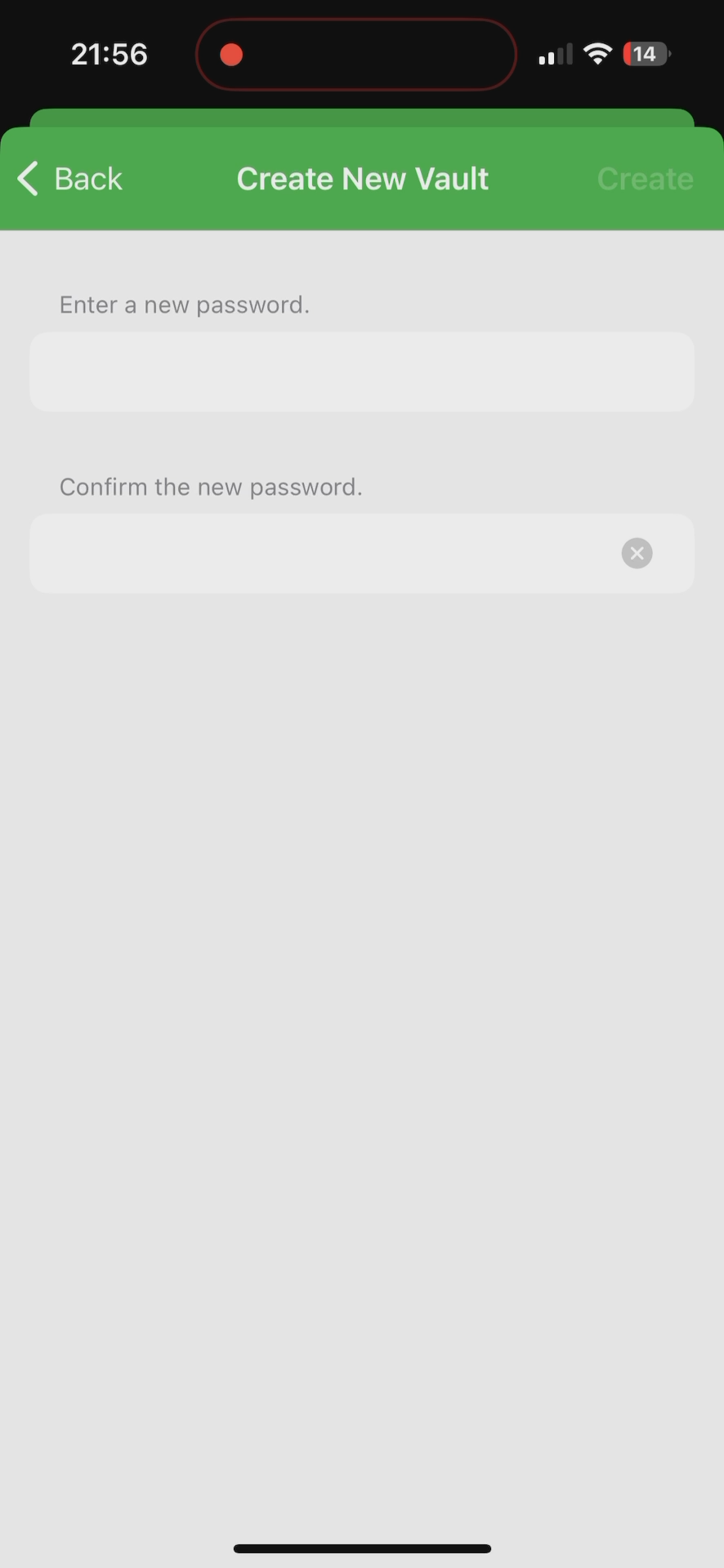  I want to click on close, so click(648, 552).